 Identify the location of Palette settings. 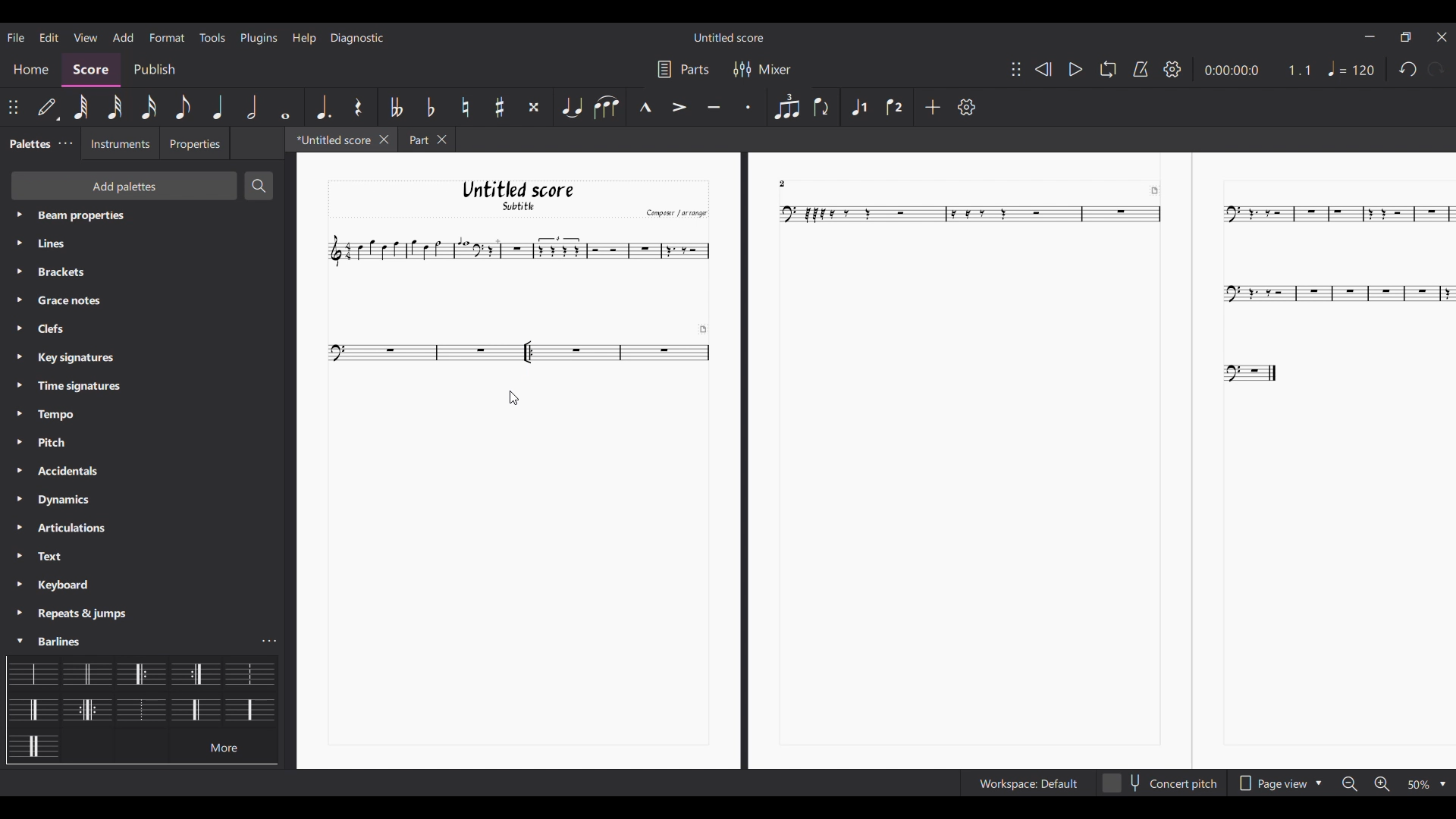
(87, 613).